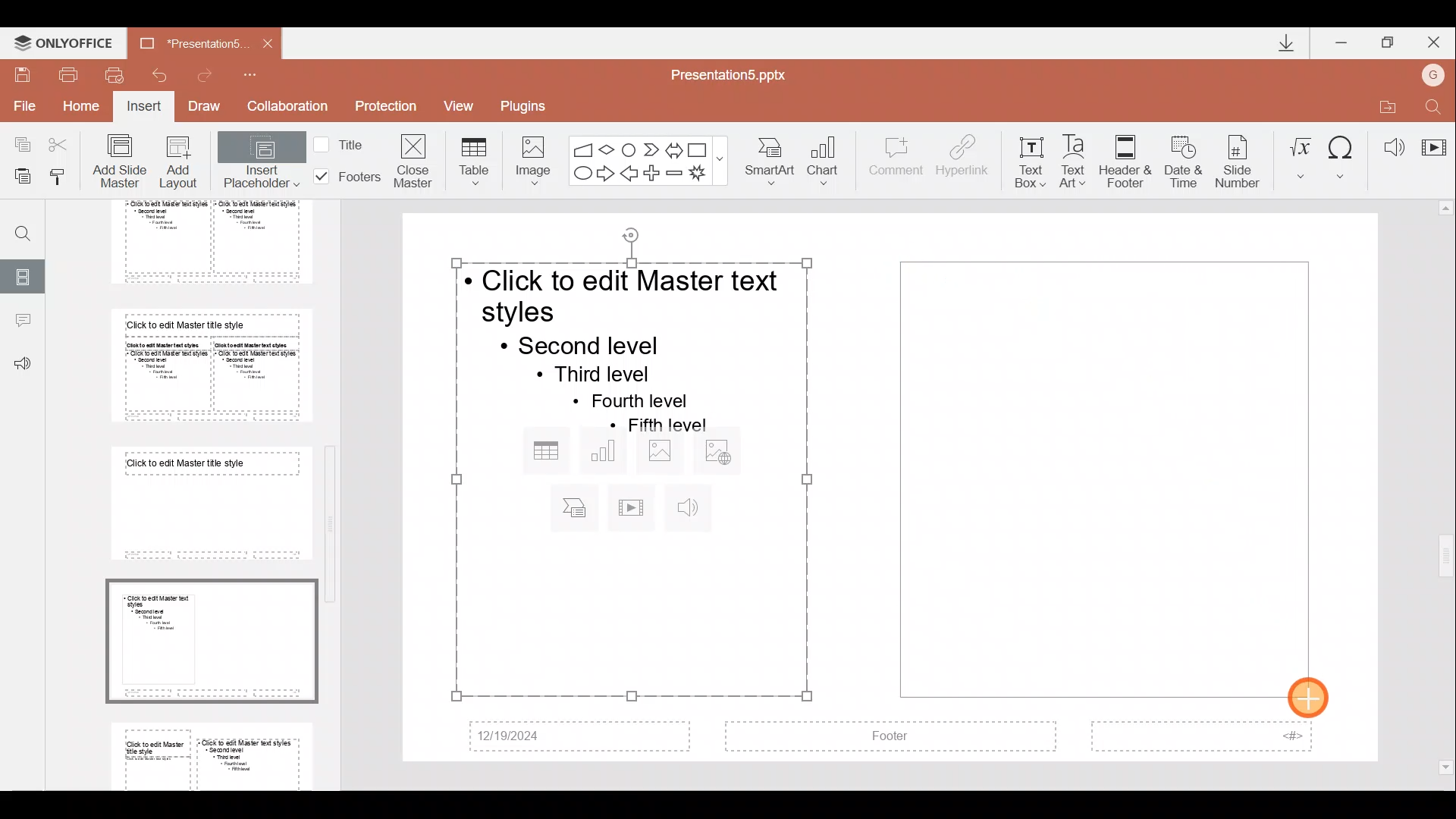 This screenshot has width=1456, height=819. I want to click on Undo, so click(158, 74).